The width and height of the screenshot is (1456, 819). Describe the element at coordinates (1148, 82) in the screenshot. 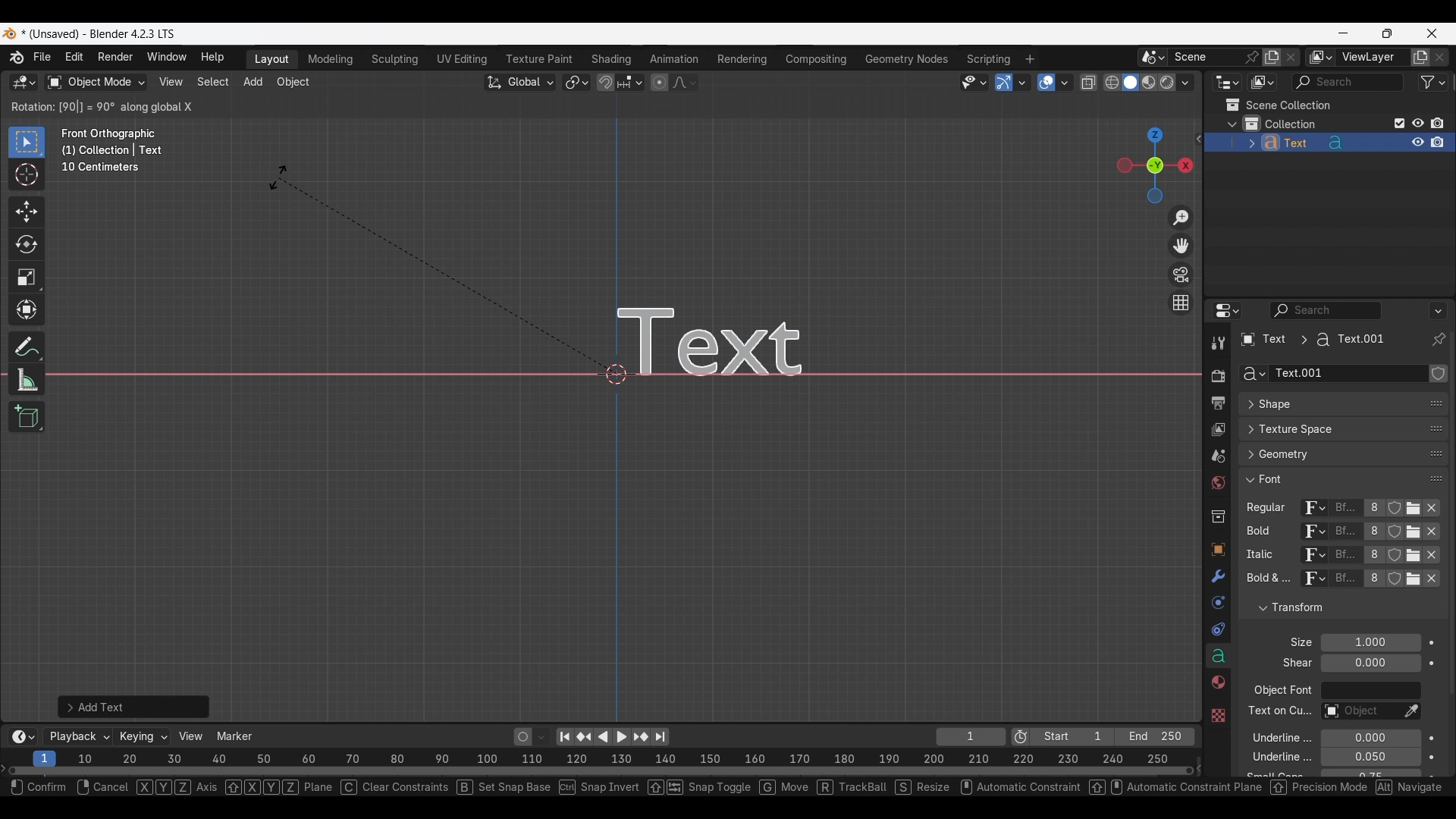

I see `Viewport shading, material preview` at that location.